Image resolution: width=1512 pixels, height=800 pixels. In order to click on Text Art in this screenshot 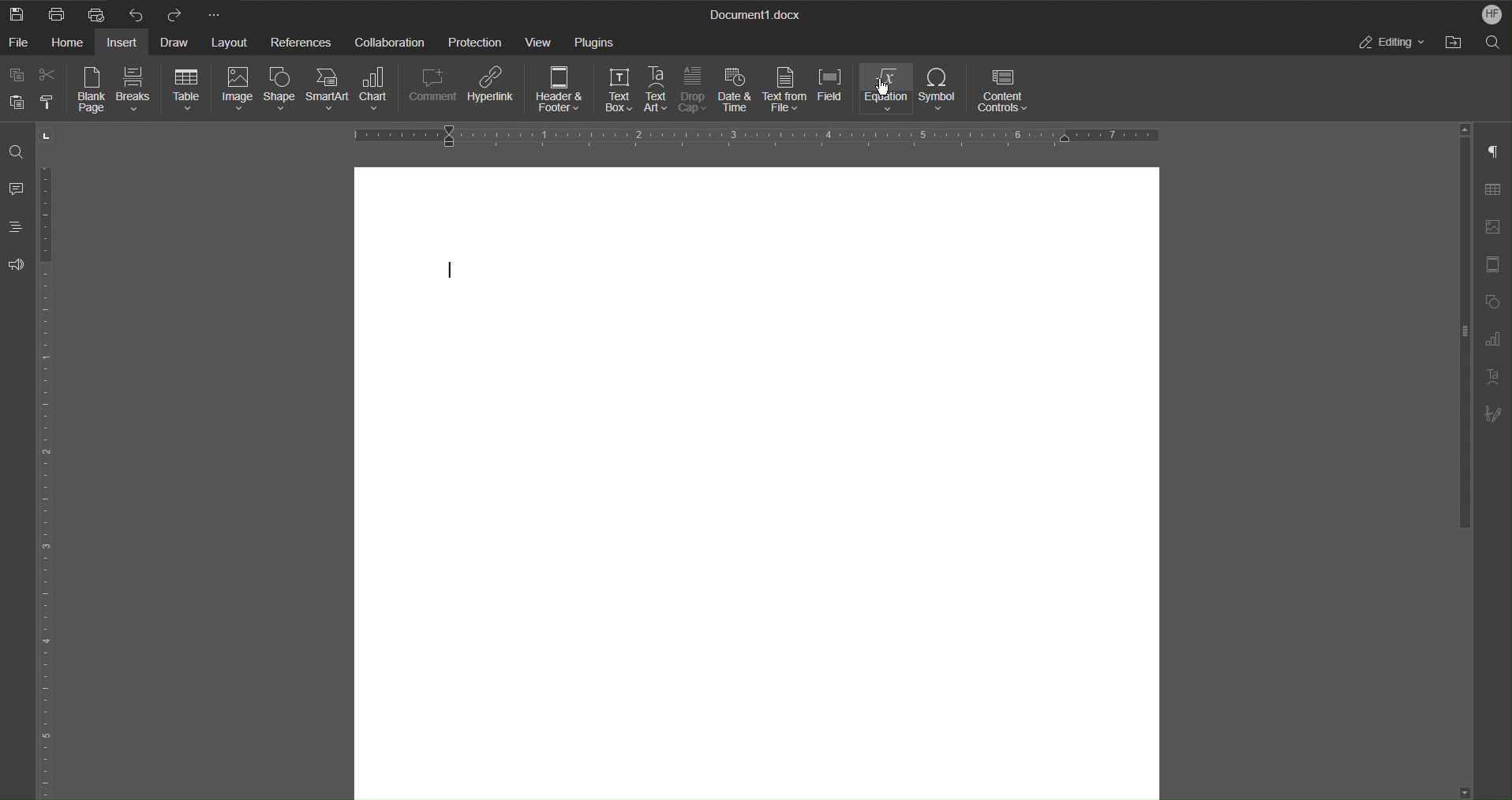, I will do `click(657, 92)`.